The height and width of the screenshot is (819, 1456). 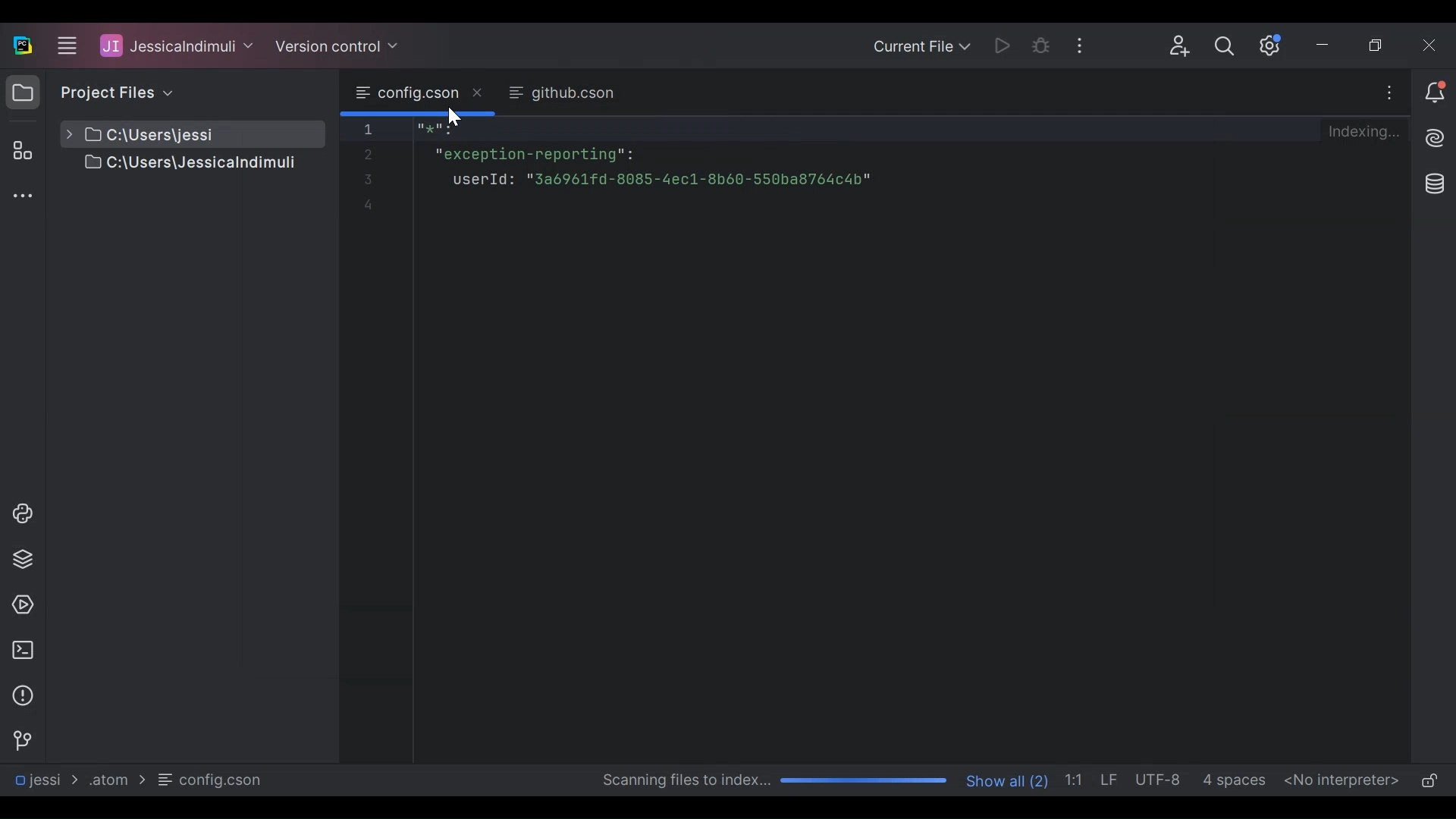 I want to click on Folder, so click(x=115, y=779).